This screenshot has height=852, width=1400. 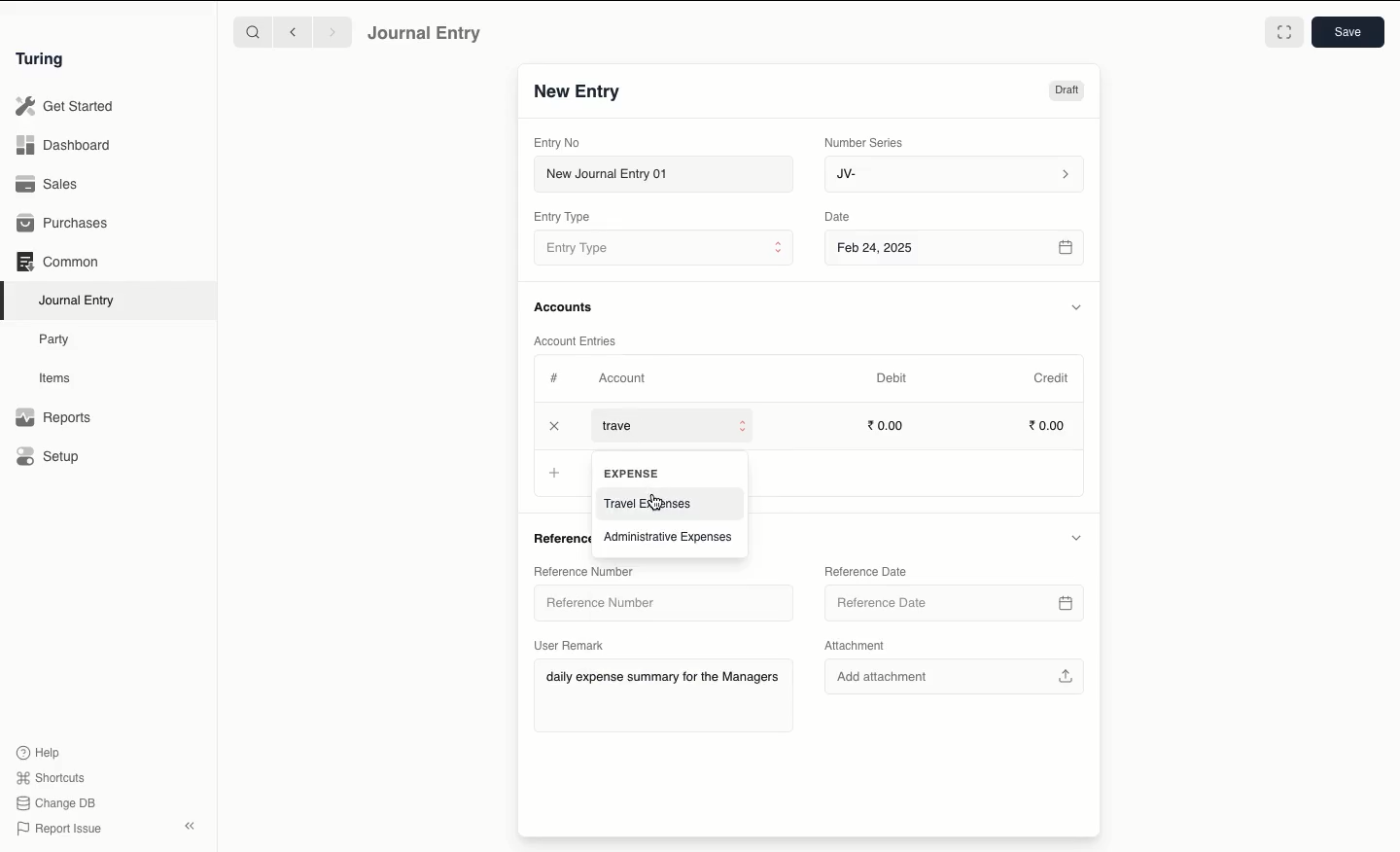 I want to click on New Entry, so click(x=578, y=92).